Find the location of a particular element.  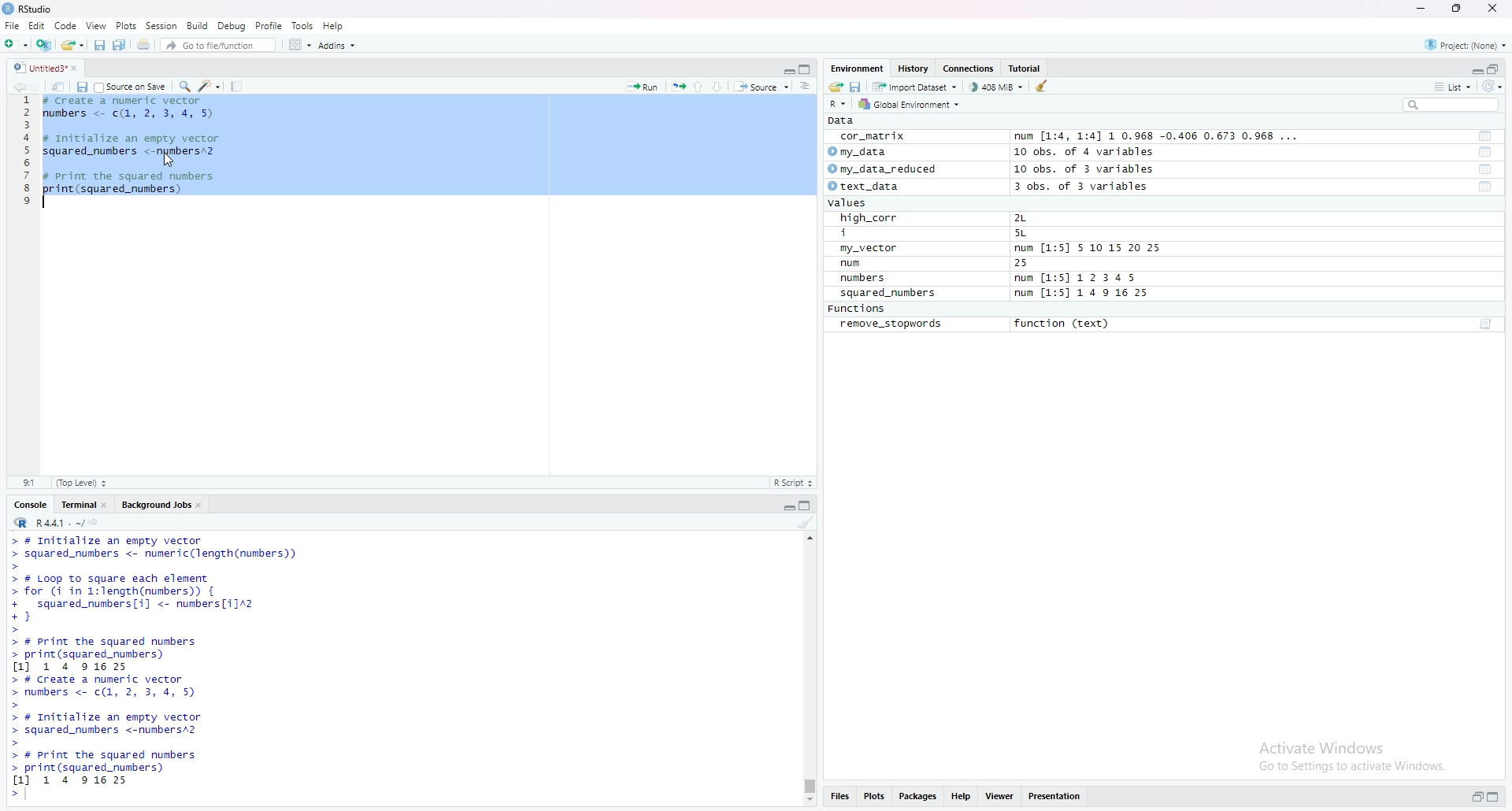

Build is located at coordinates (198, 25).